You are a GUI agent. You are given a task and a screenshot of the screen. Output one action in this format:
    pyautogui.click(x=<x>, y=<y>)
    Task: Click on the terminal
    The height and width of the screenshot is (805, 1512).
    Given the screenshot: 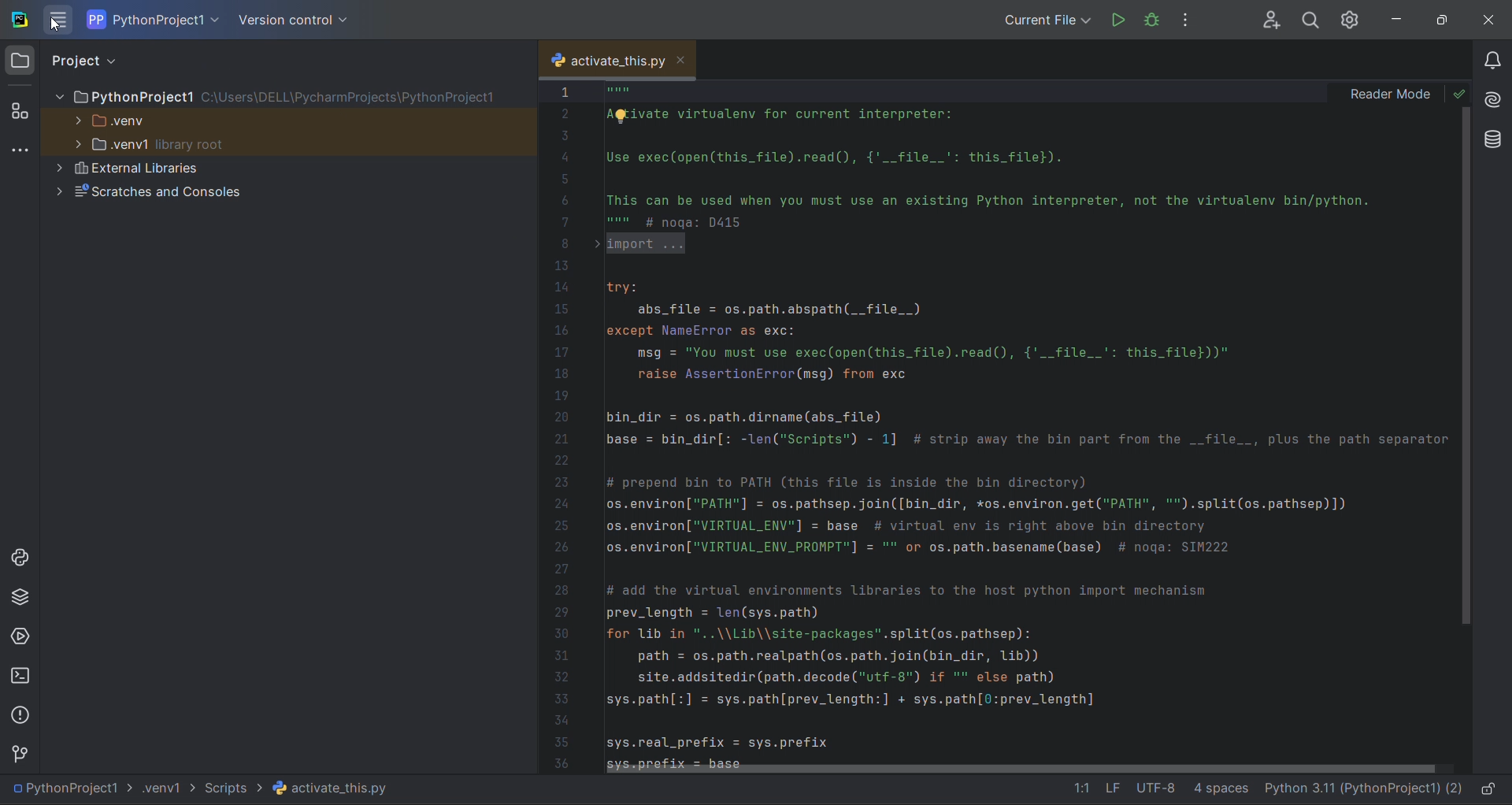 What is the action you would take?
    pyautogui.click(x=23, y=679)
    